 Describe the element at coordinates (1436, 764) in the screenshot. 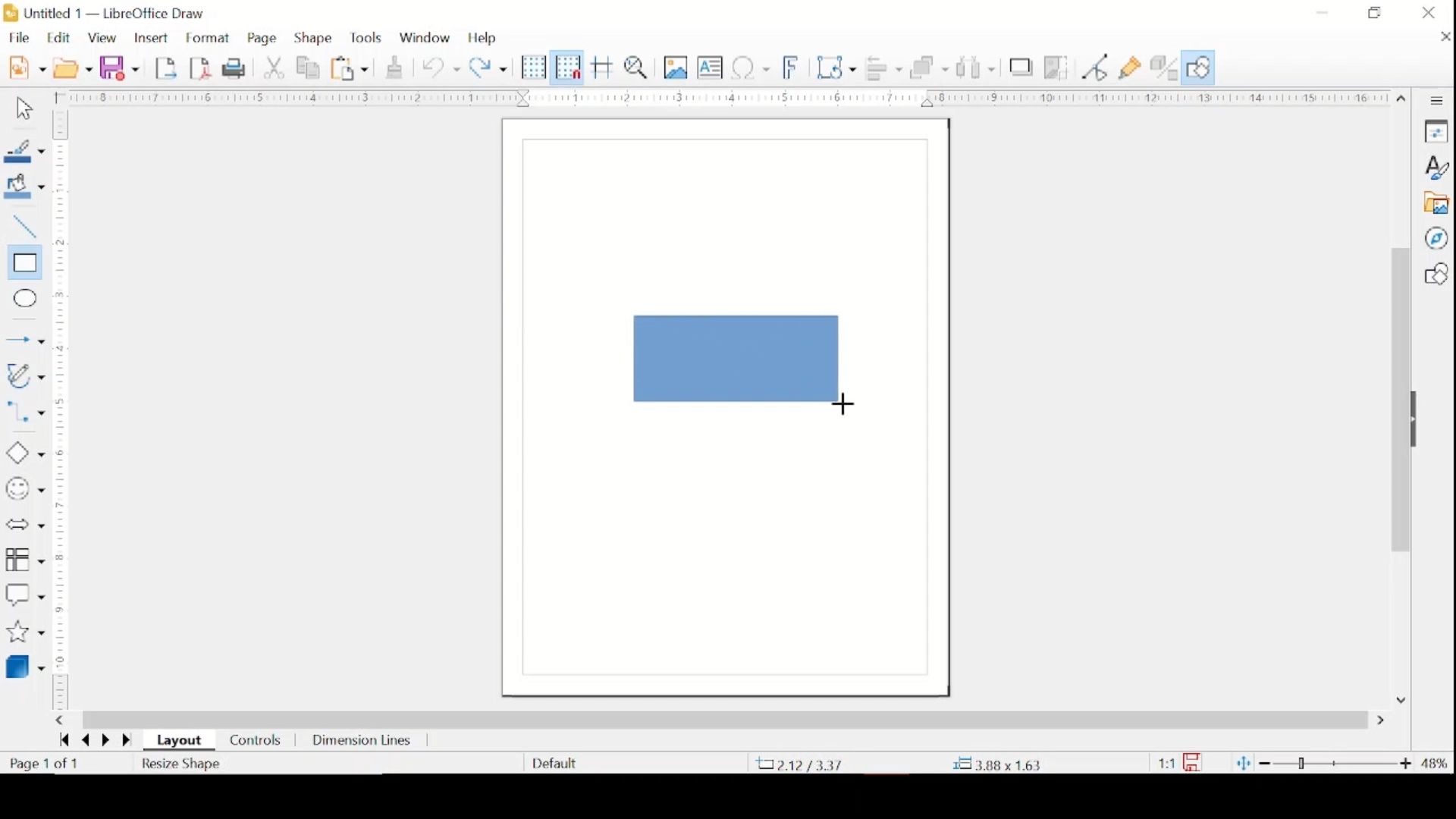

I see `zoom level` at that location.